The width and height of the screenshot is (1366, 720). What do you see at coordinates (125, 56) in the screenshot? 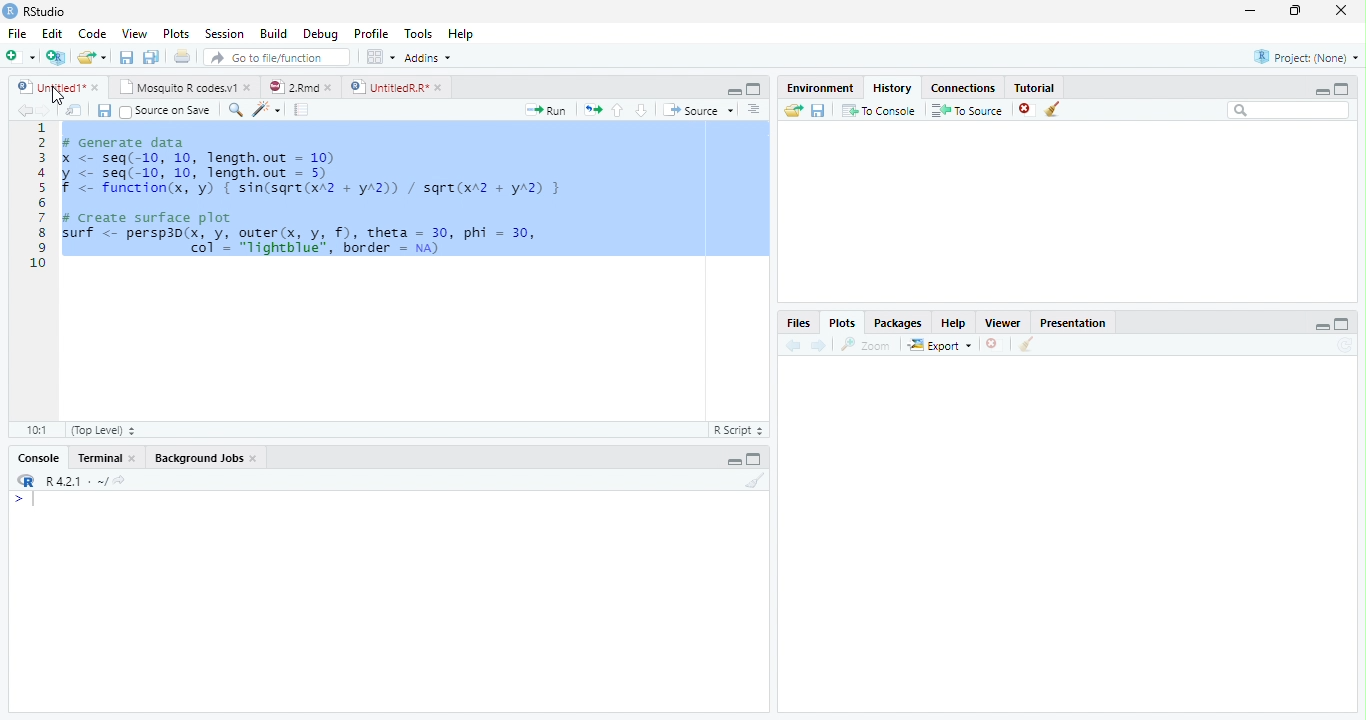
I see `Save current document` at bounding box center [125, 56].